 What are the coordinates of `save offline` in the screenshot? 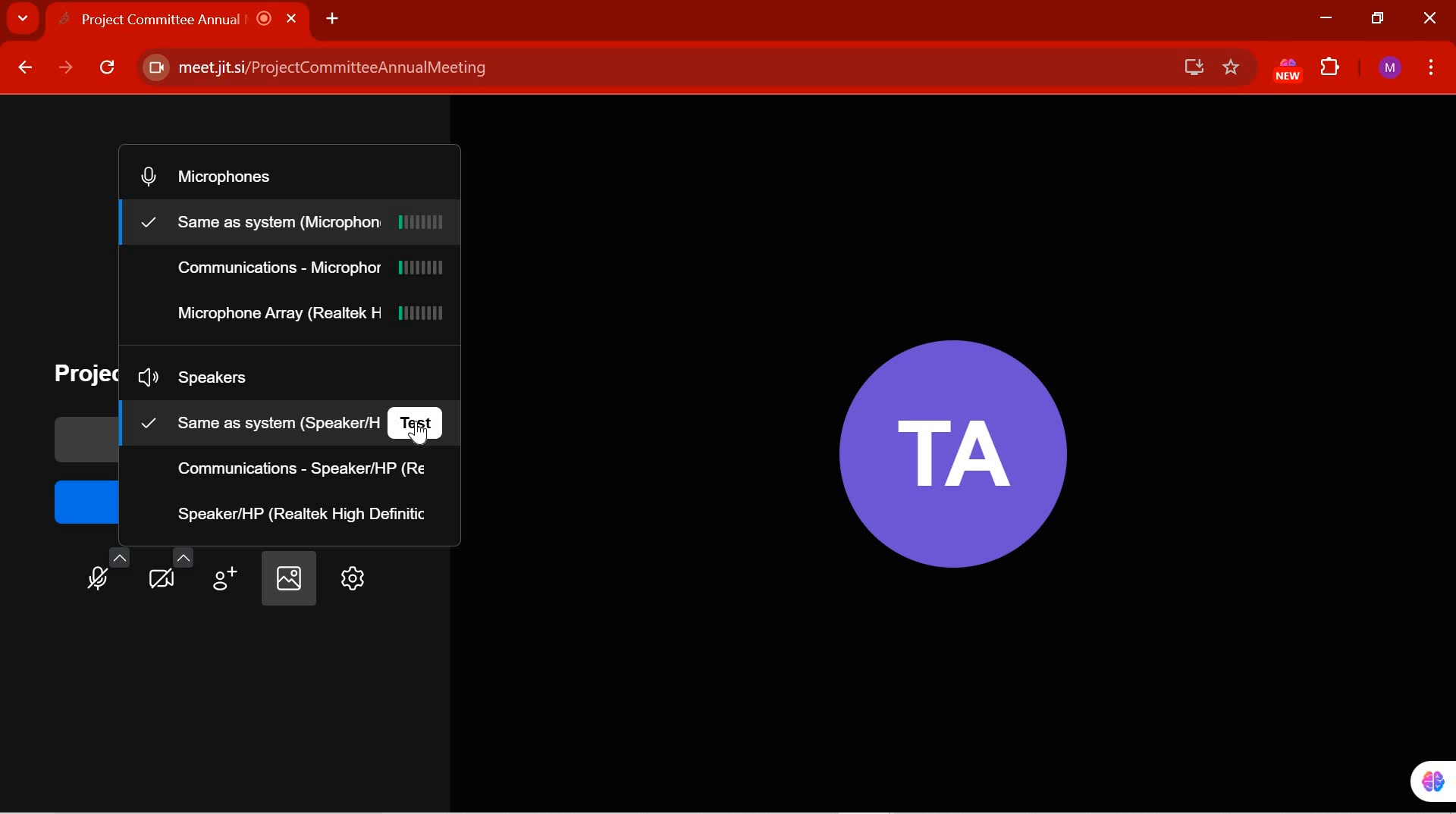 It's located at (1188, 67).